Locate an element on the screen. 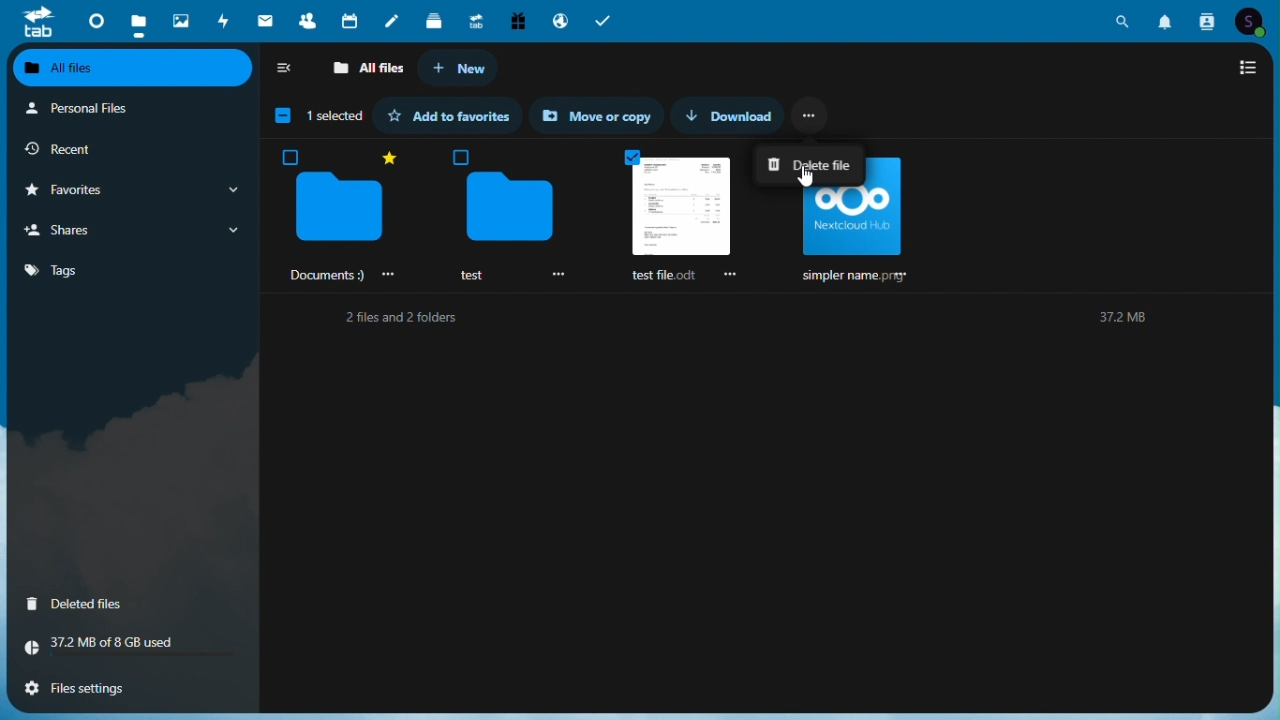 This screenshot has width=1280, height=720. search is located at coordinates (1125, 19).